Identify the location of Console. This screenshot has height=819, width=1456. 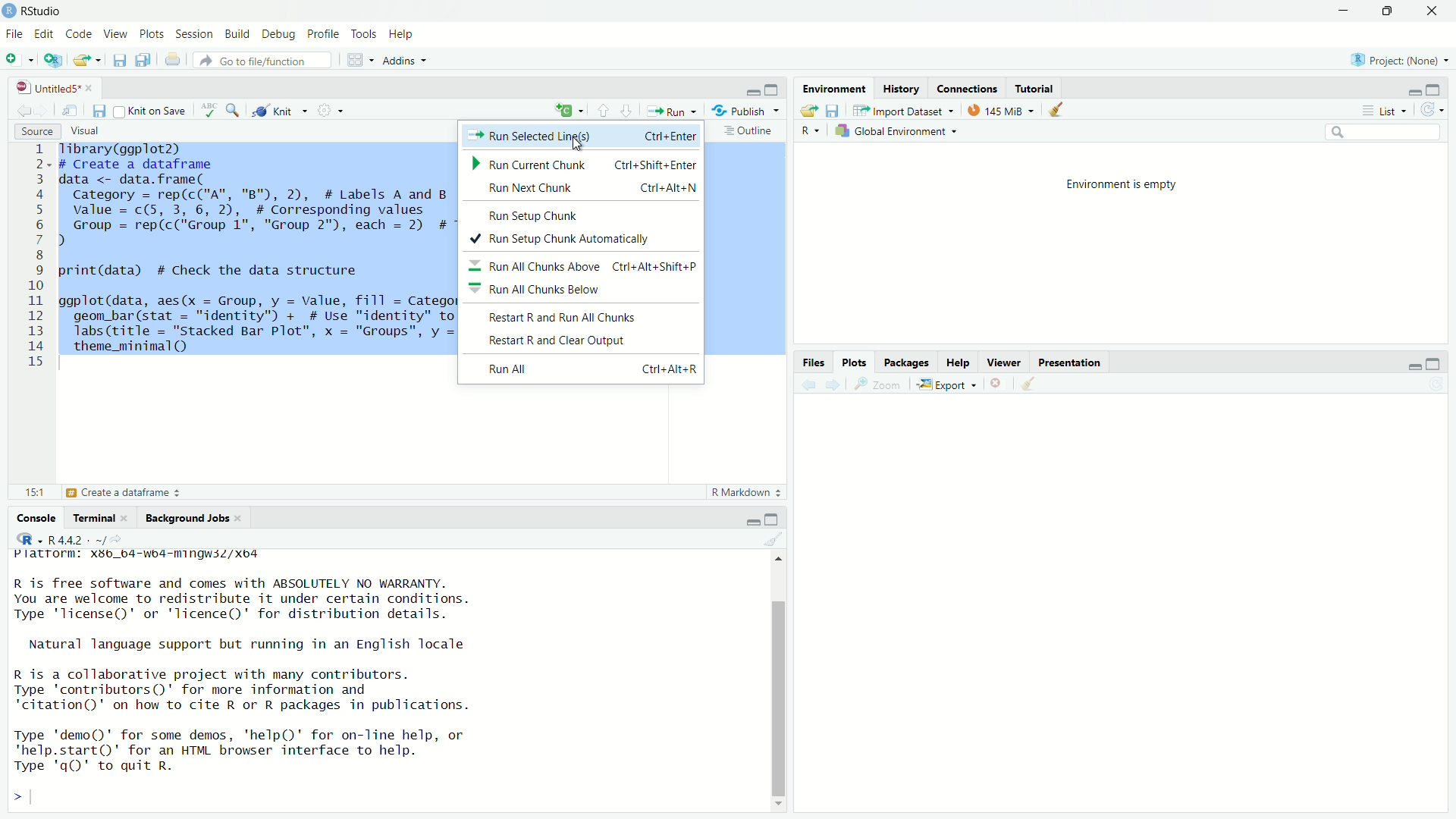
(37, 516).